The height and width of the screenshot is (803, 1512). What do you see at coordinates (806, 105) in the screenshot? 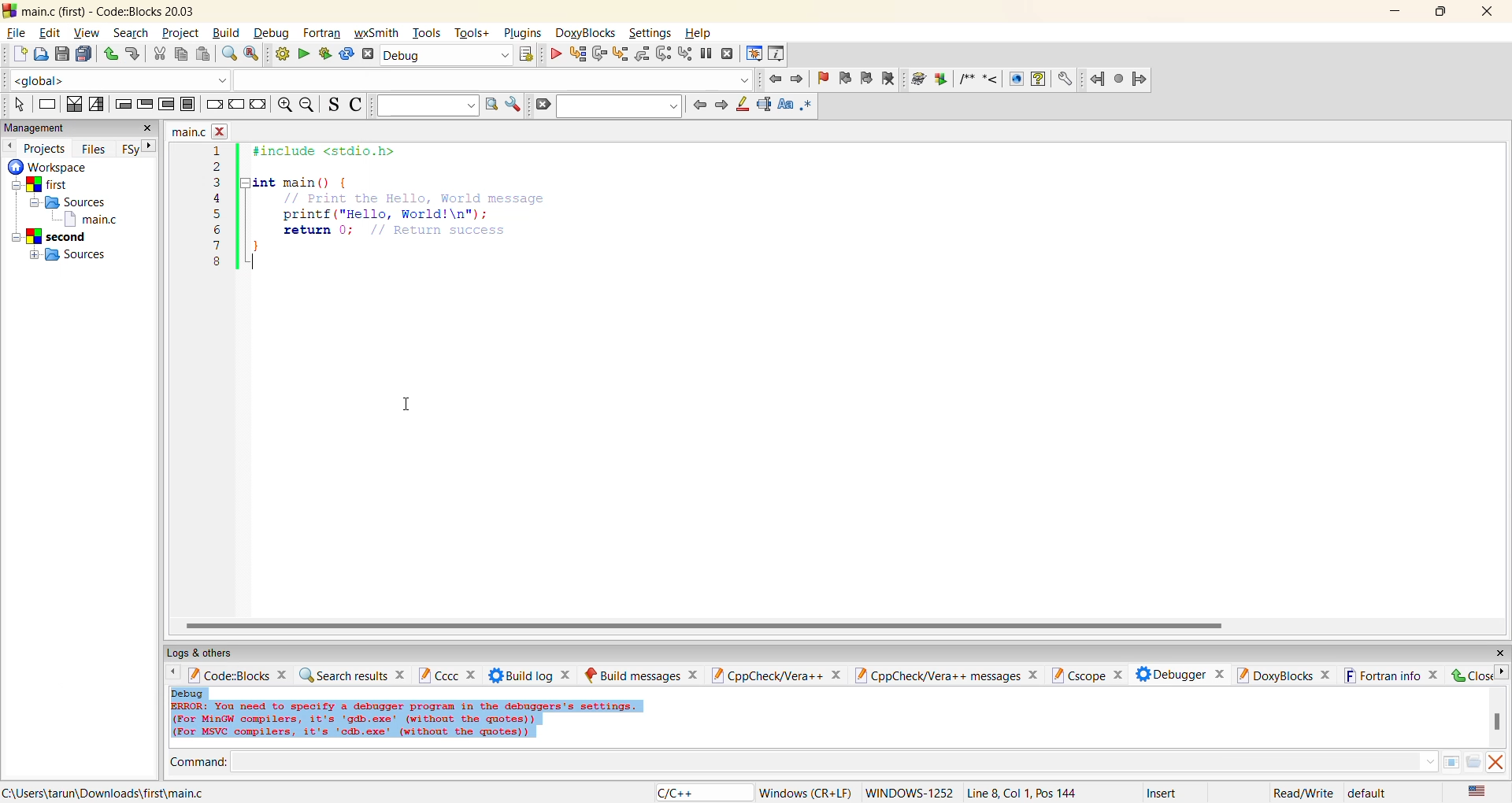
I see `use regex` at bounding box center [806, 105].